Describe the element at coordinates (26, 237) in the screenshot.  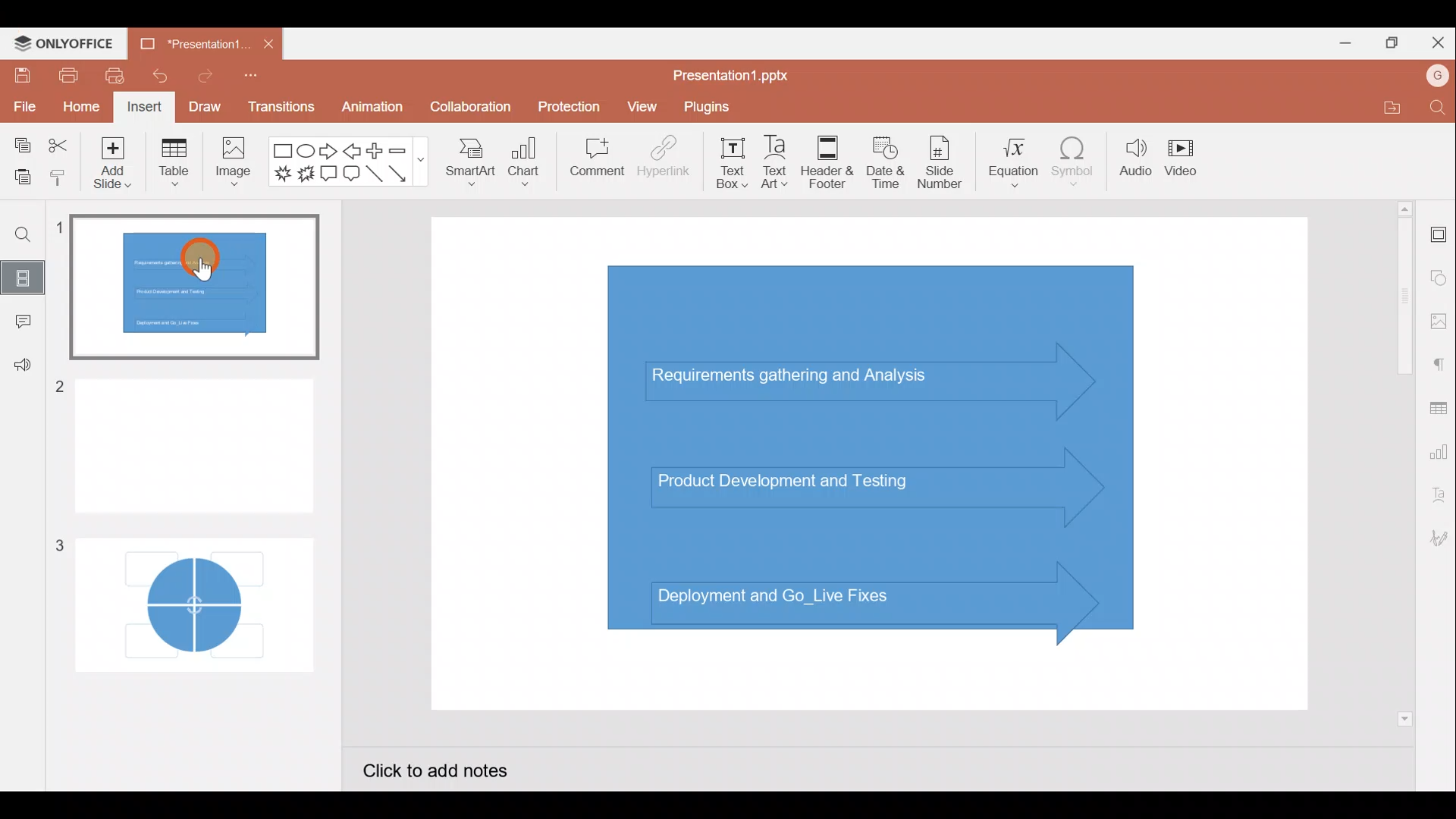
I see `Find` at that location.